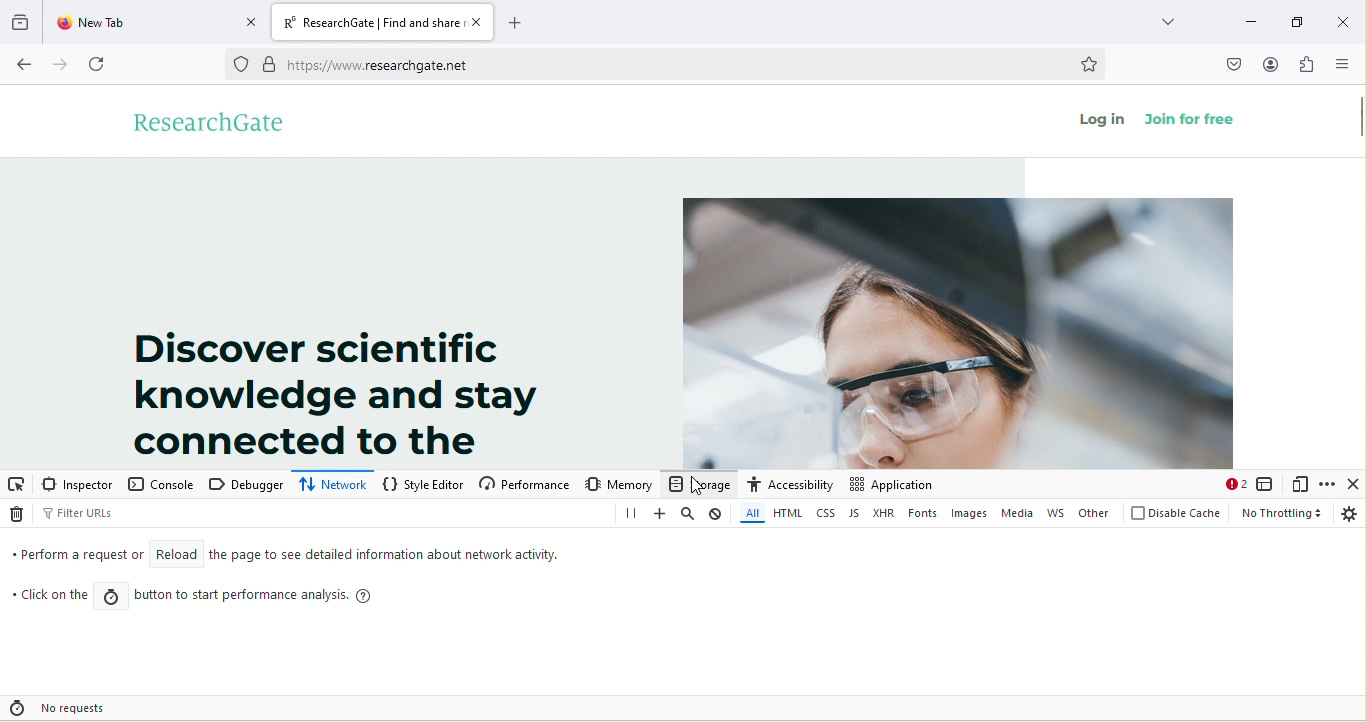 The image size is (1366, 722). Describe the element at coordinates (1345, 65) in the screenshot. I see `side bar` at that location.